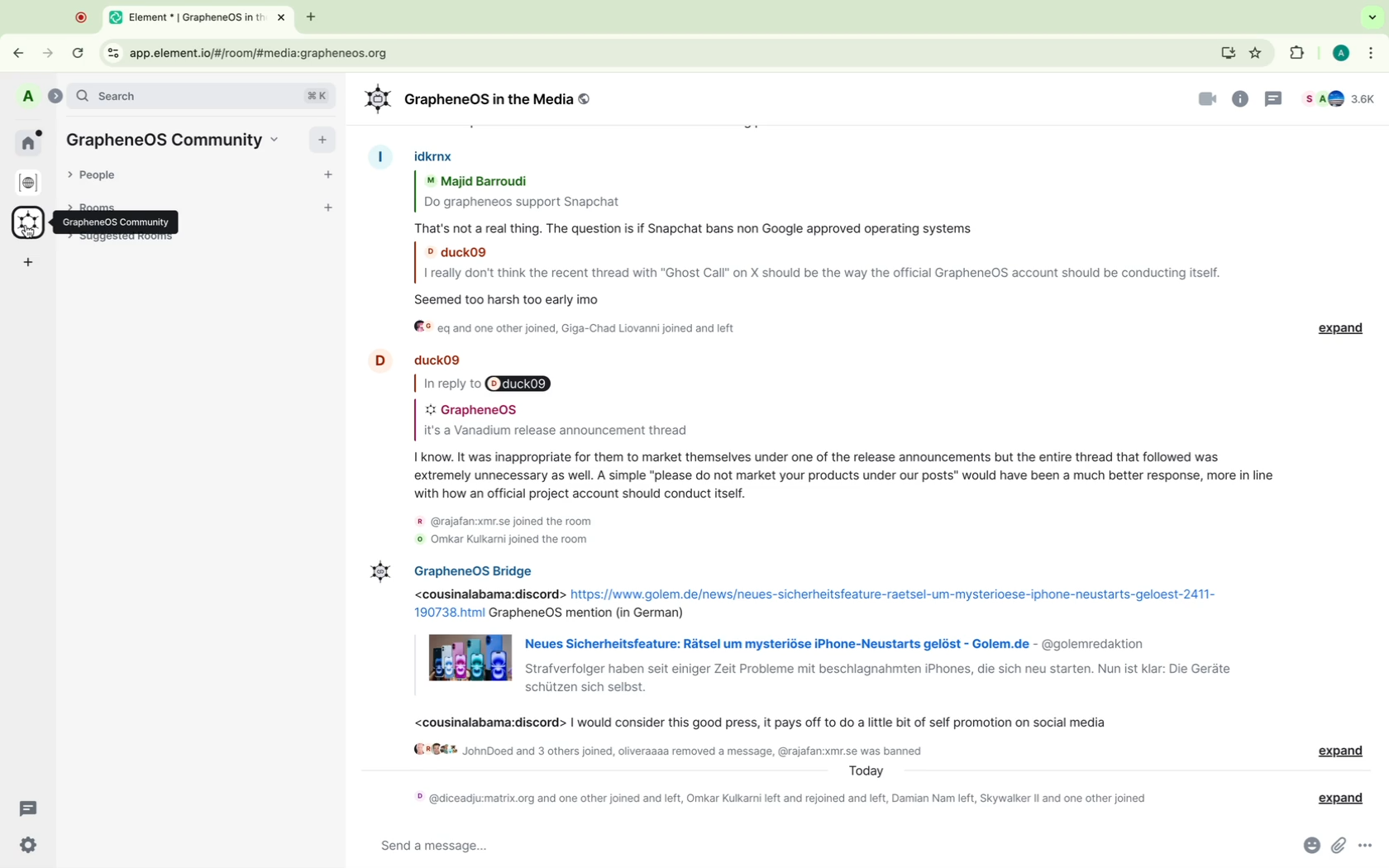  I want to click on GrapheneOS, so click(477, 408).